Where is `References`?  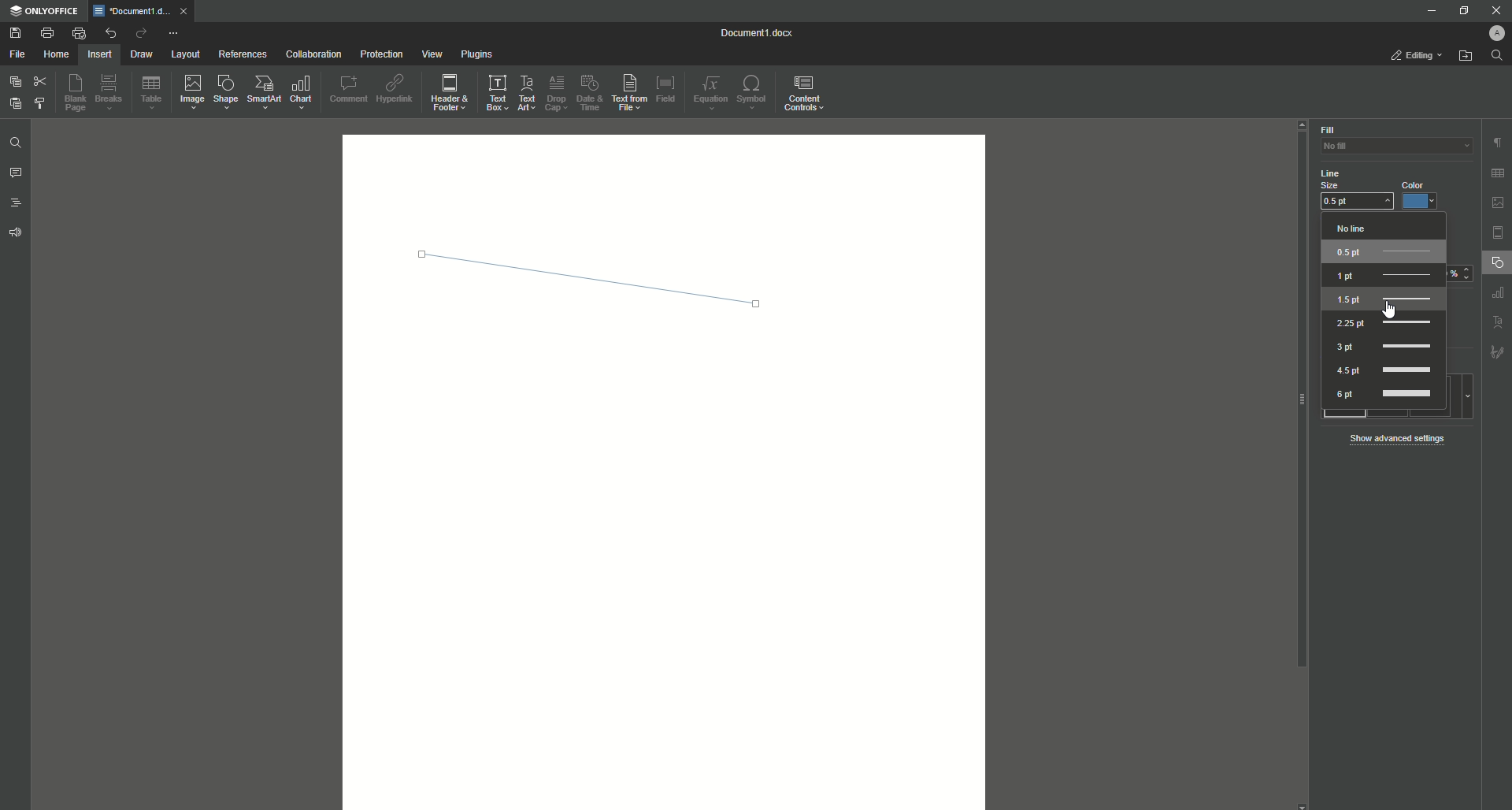 References is located at coordinates (242, 54).